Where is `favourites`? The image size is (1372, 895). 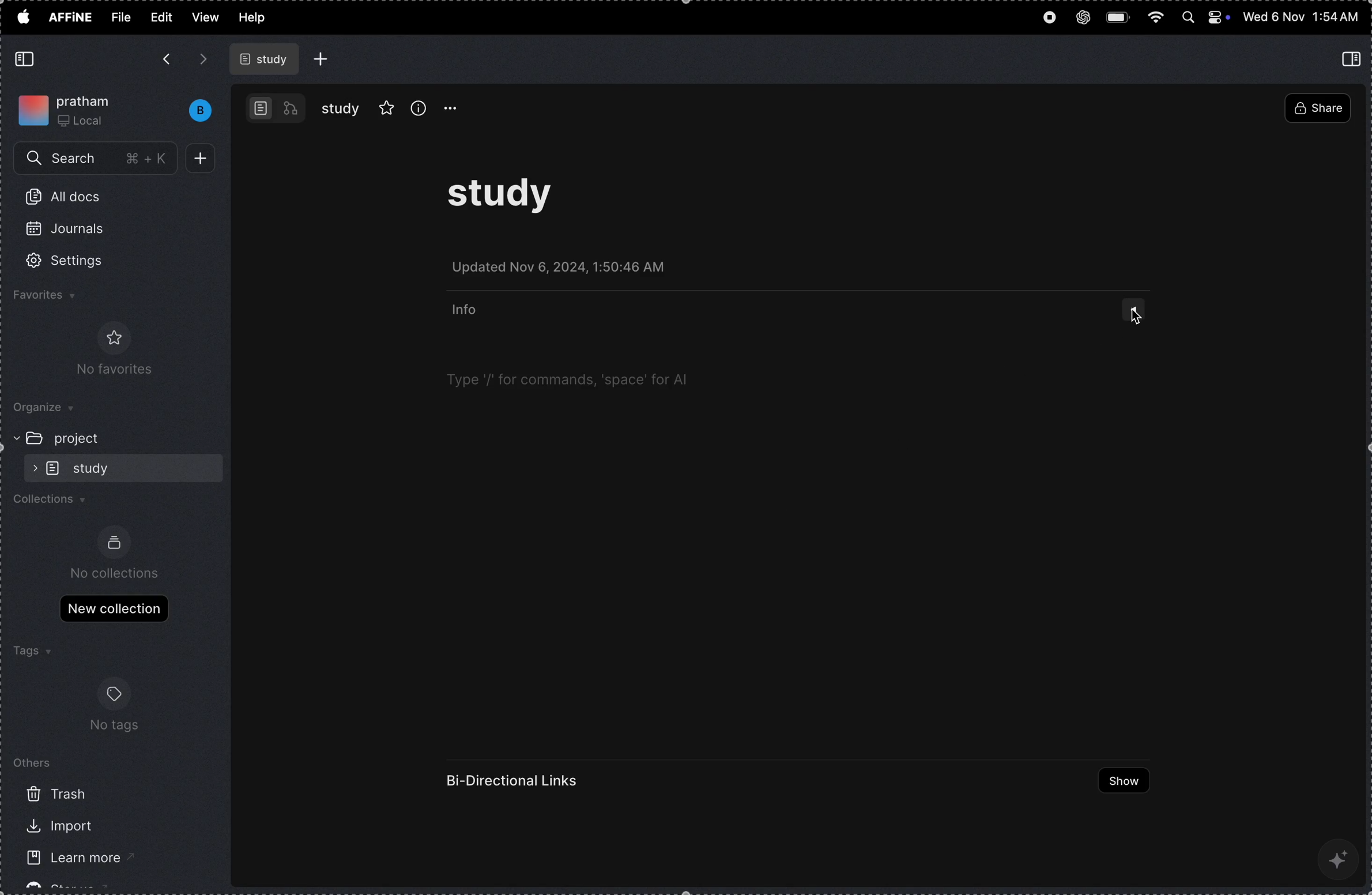
favourites is located at coordinates (387, 106).